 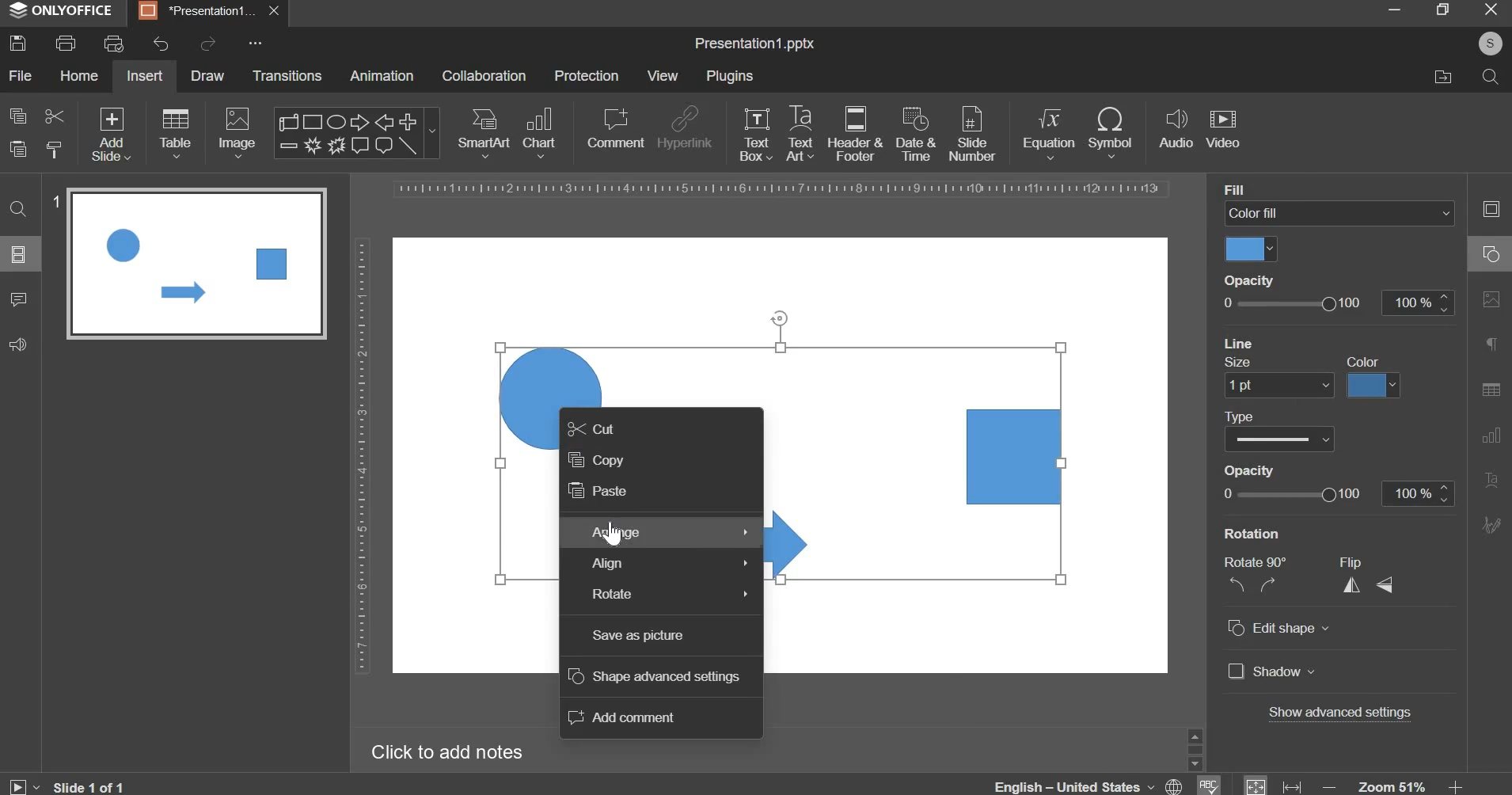 I want to click on vertical scale, so click(x=361, y=455).